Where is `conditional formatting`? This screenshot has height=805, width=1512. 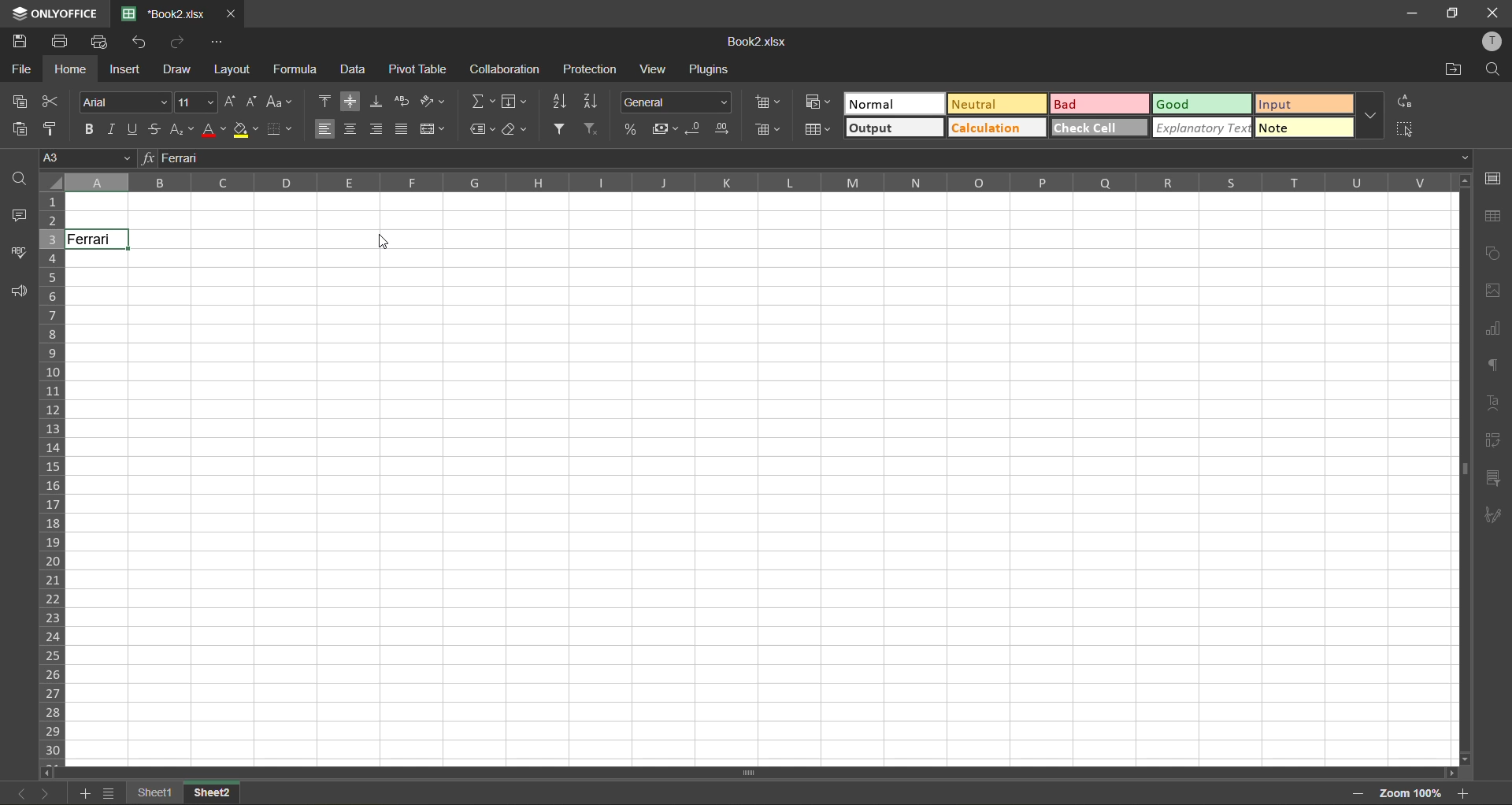
conditional formatting is located at coordinates (818, 103).